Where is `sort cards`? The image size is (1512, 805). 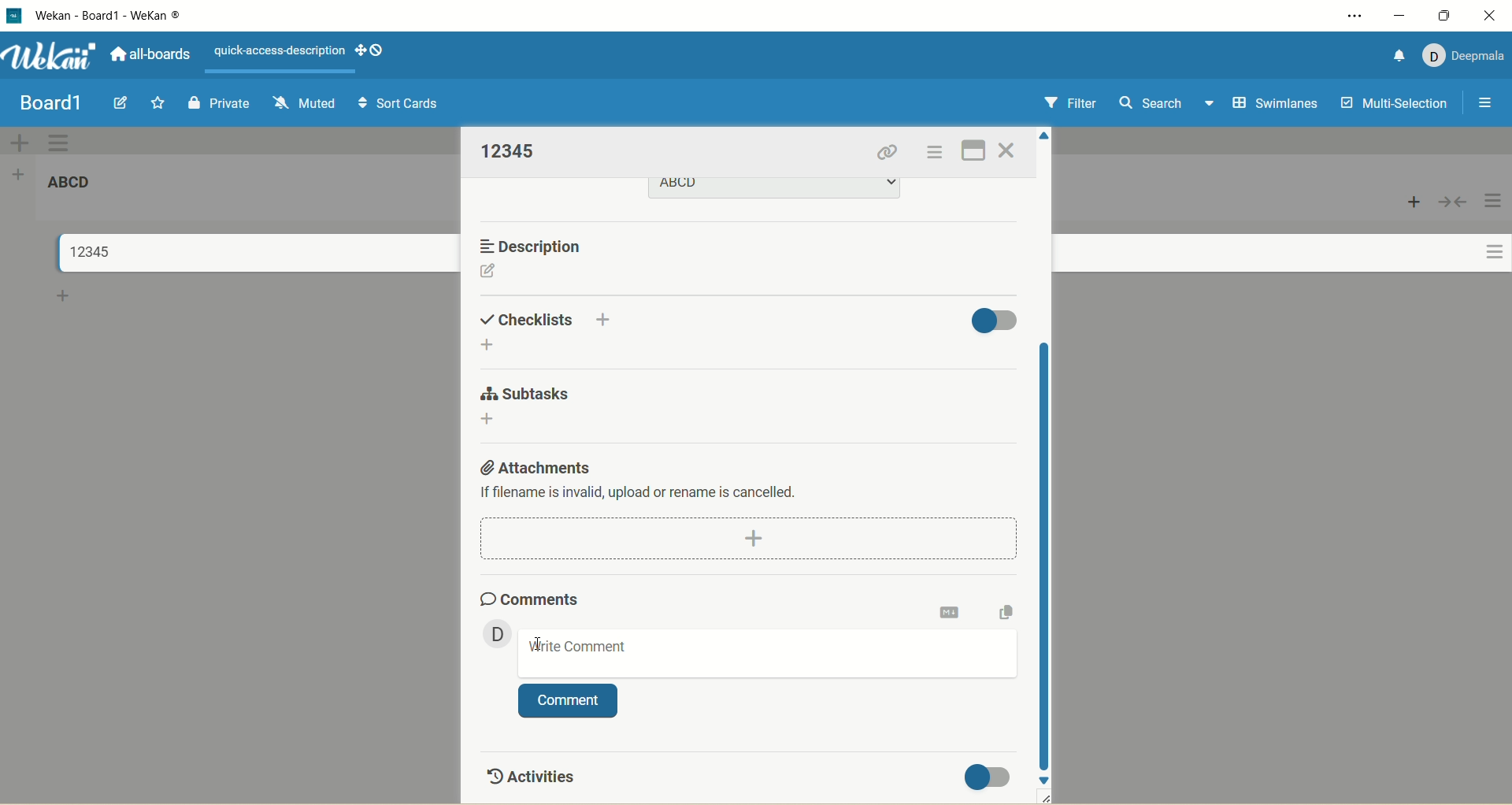
sort cards is located at coordinates (399, 106).